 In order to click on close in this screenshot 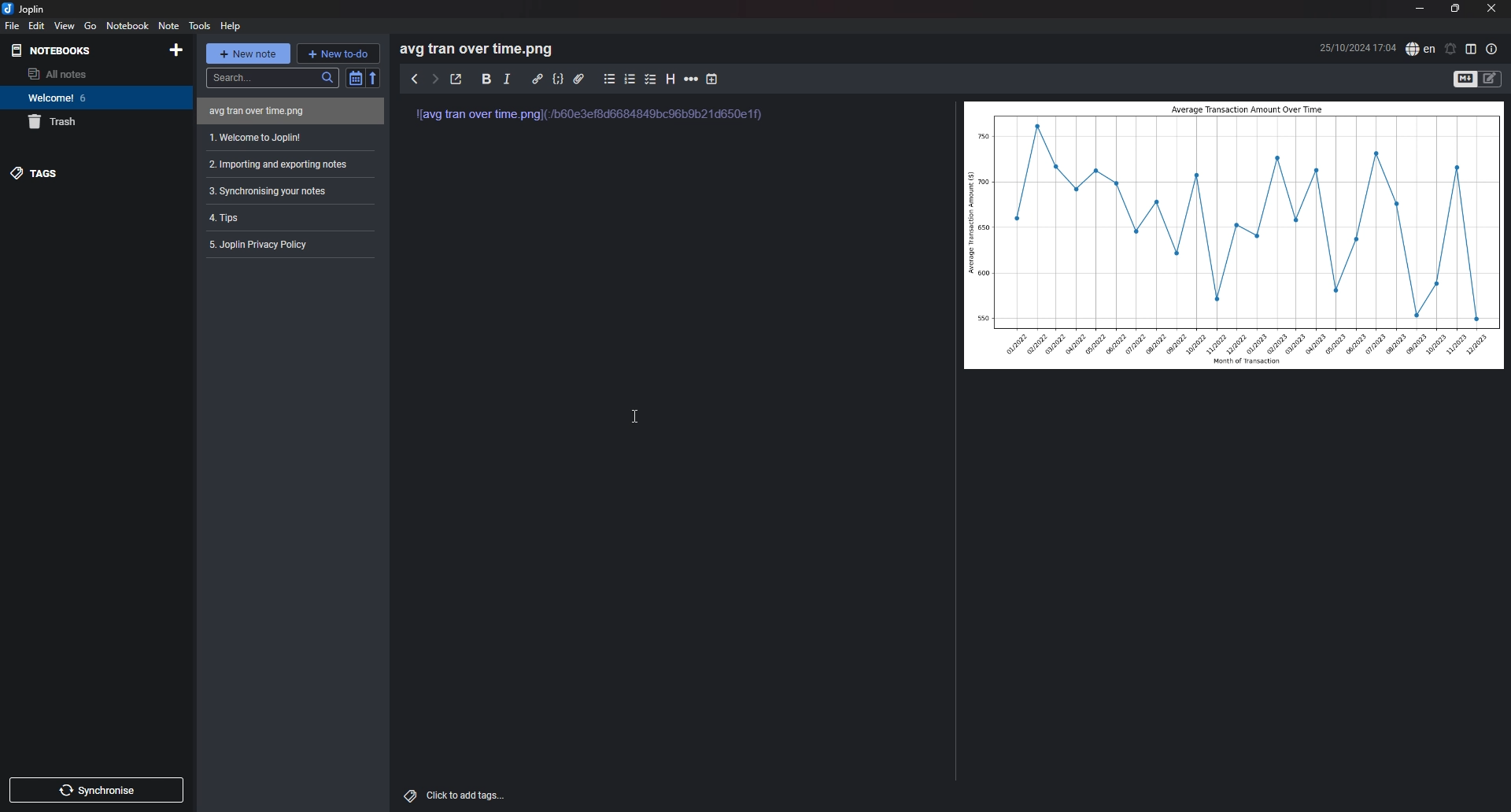, I will do `click(1492, 9)`.